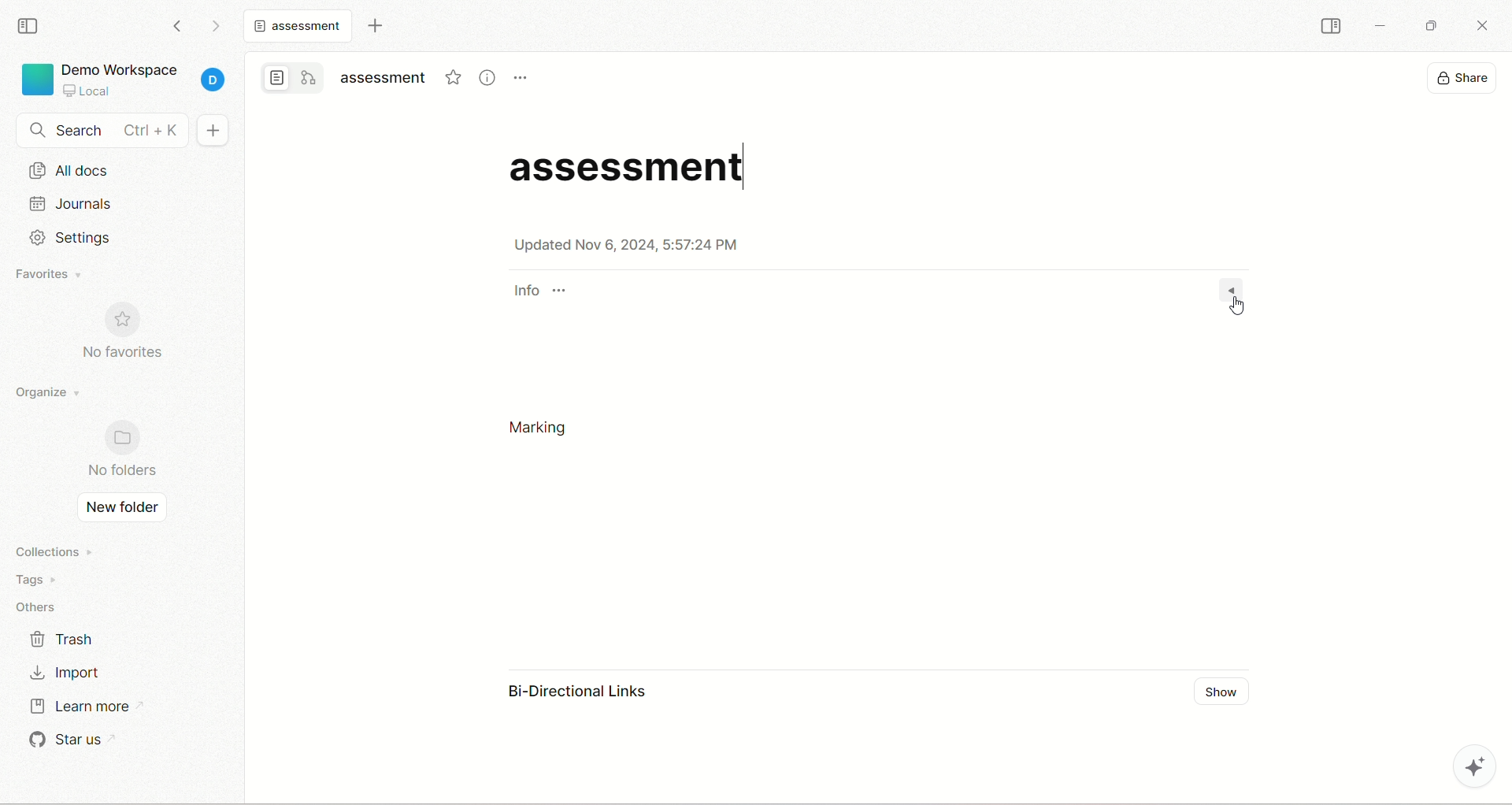 This screenshot has width=1512, height=805. Describe the element at coordinates (40, 606) in the screenshot. I see `others` at that location.